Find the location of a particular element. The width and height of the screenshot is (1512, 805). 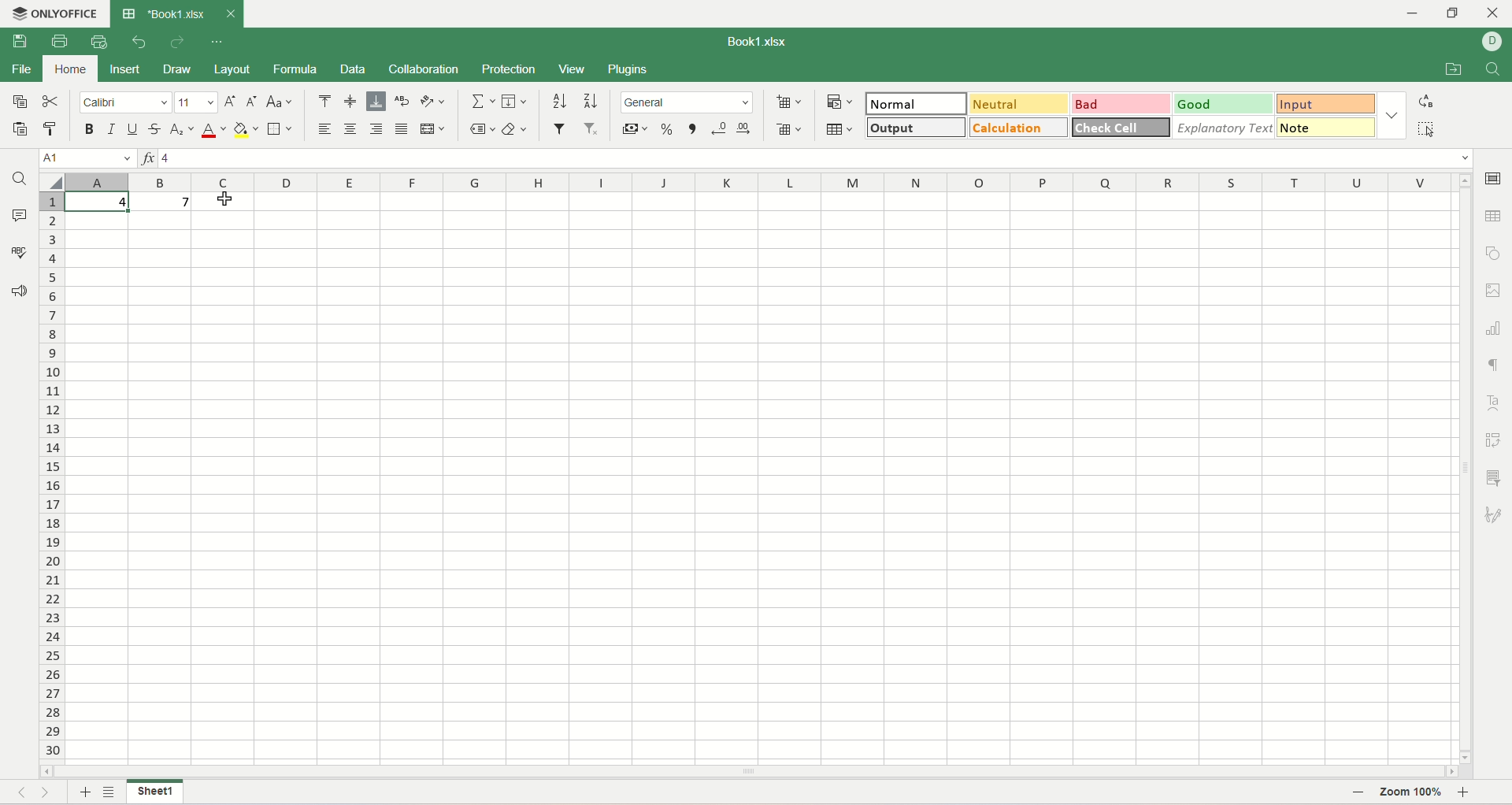

close is located at coordinates (230, 11).